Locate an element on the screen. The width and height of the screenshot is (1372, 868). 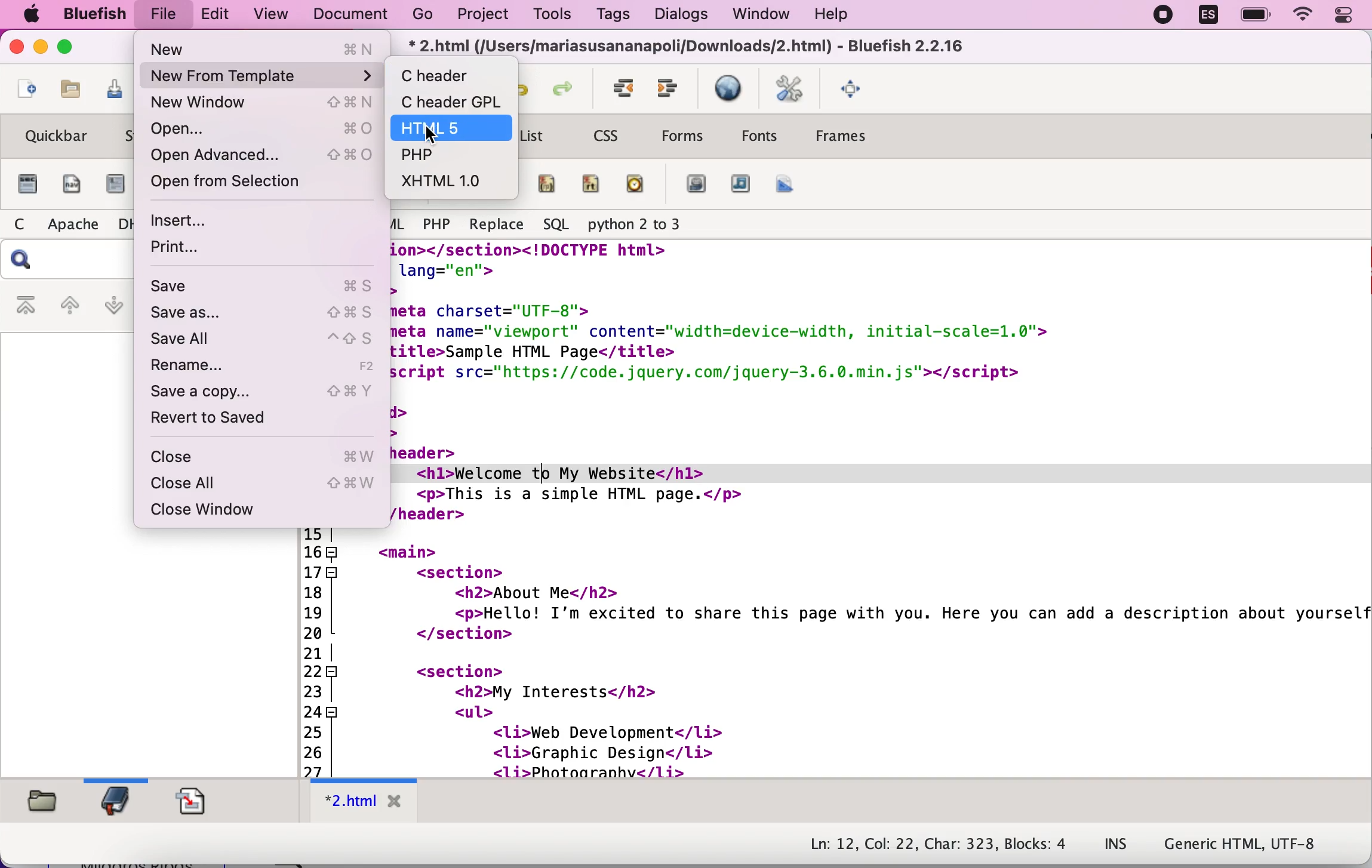
nav is located at coordinates (69, 184).